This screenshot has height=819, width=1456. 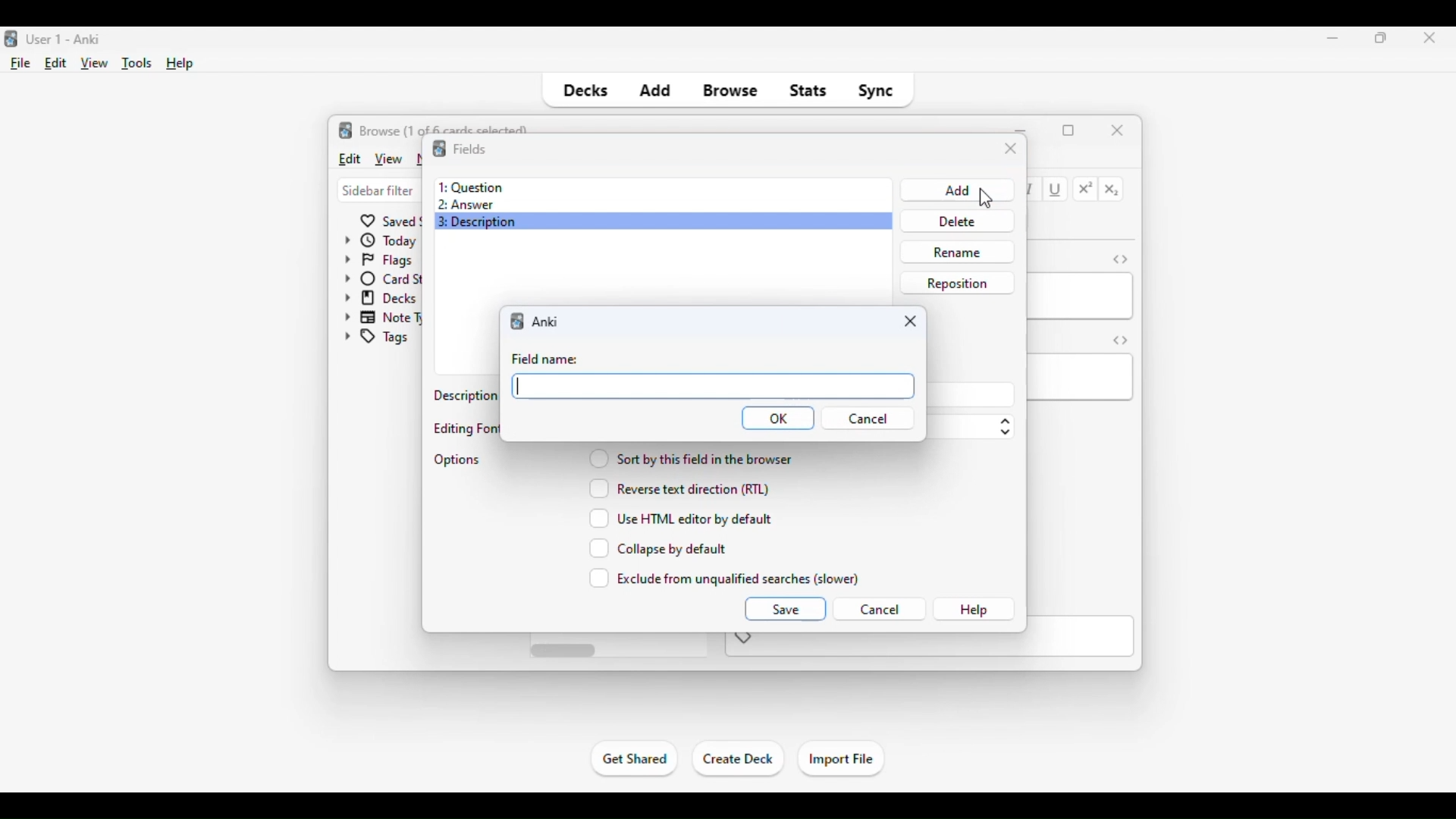 I want to click on logo, so click(x=438, y=149).